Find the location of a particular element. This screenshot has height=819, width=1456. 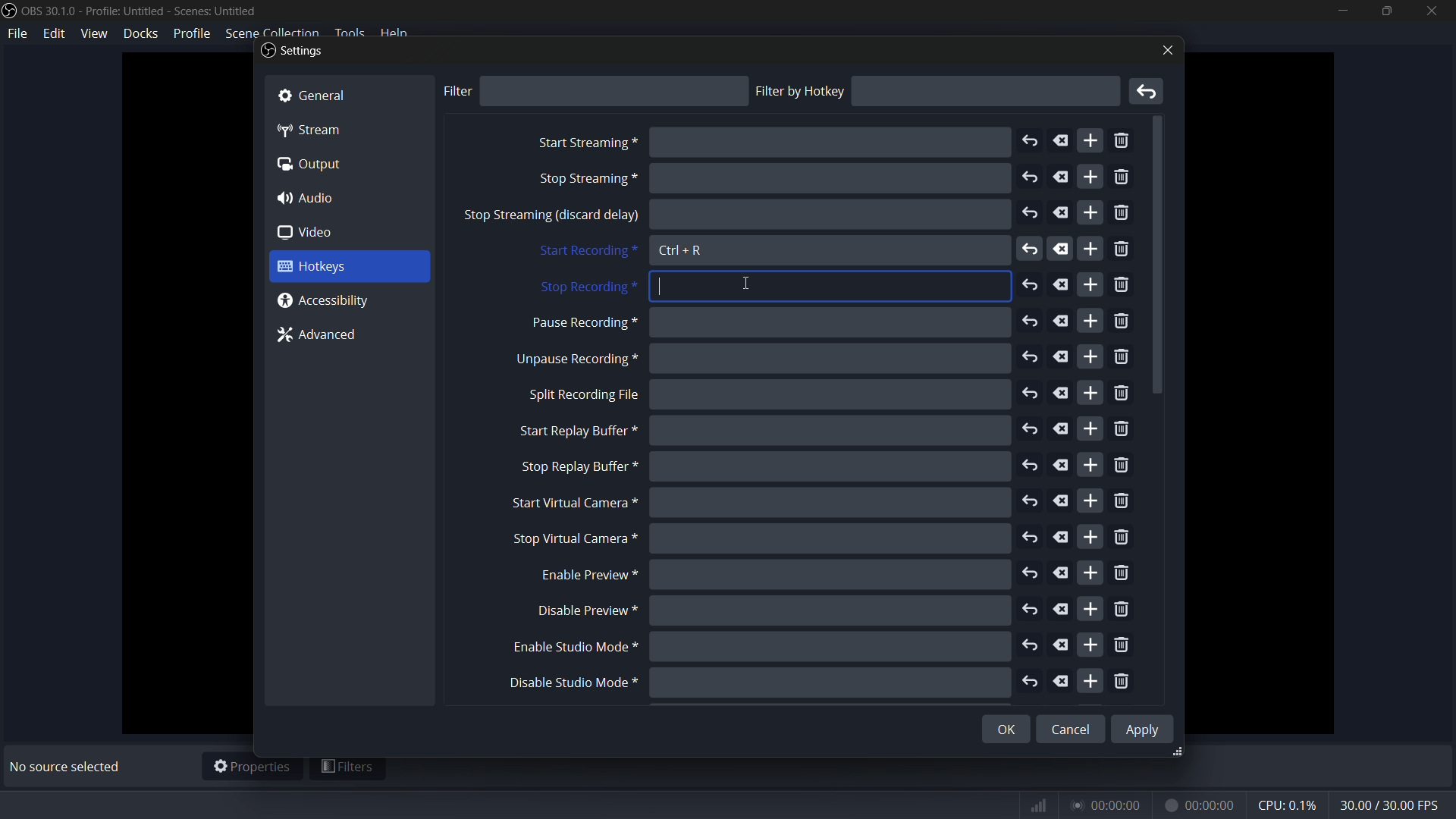

add more is located at coordinates (1090, 142).